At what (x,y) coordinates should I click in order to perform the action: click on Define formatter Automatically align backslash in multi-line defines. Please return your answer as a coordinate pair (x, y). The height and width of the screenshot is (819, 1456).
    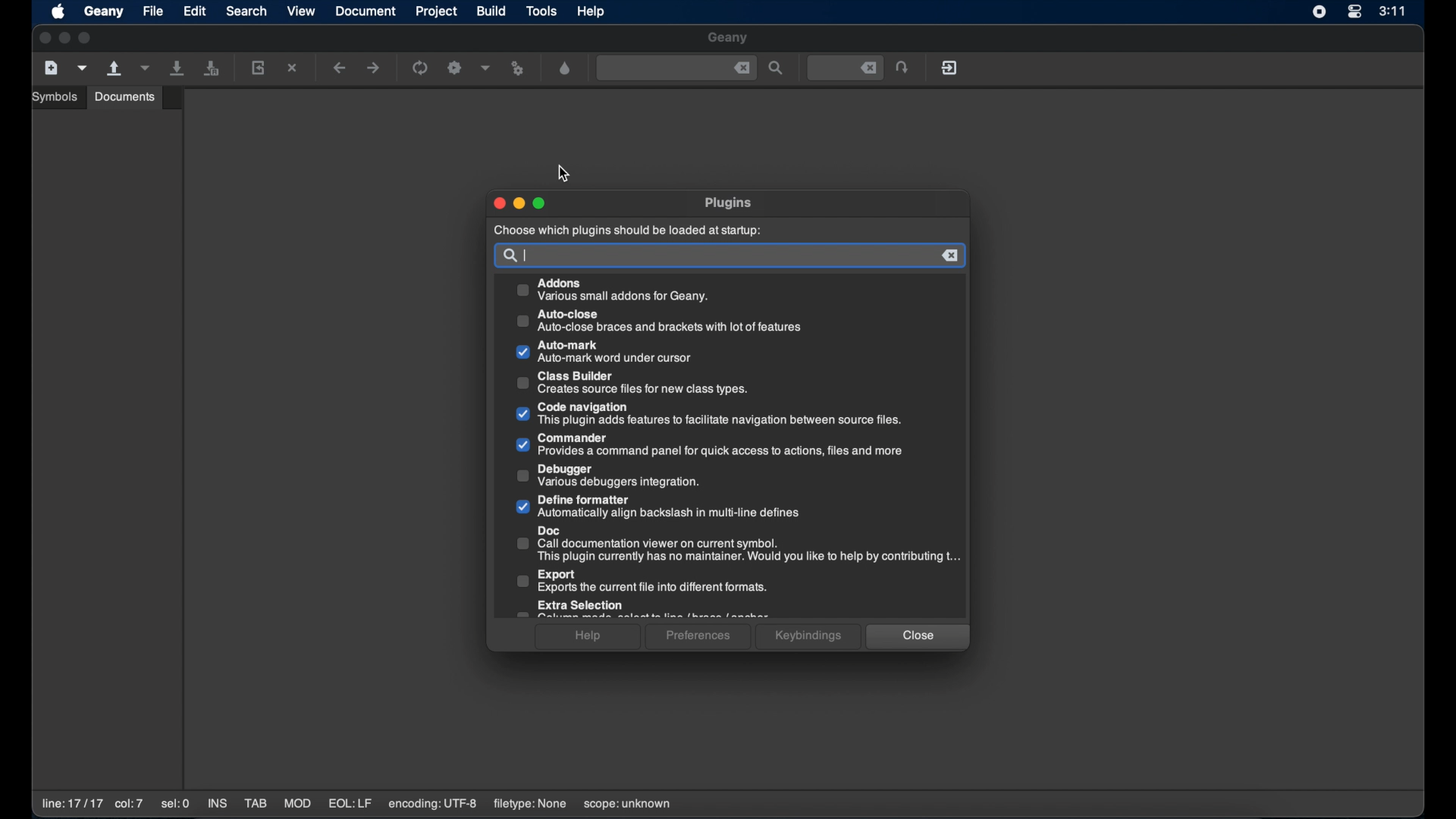
    Looking at the image, I should click on (662, 504).